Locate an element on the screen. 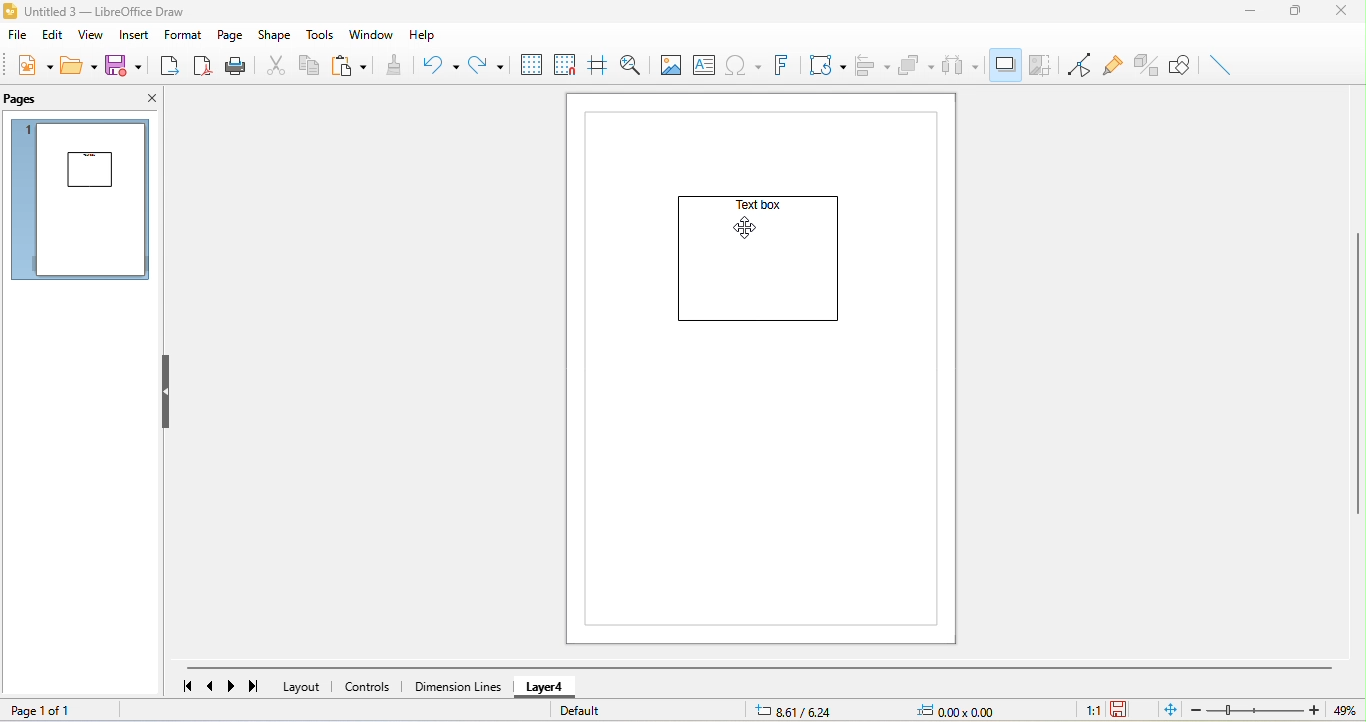 The height and width of the screenshot is (722, 1366). next page is located at coordinates (234, 688).